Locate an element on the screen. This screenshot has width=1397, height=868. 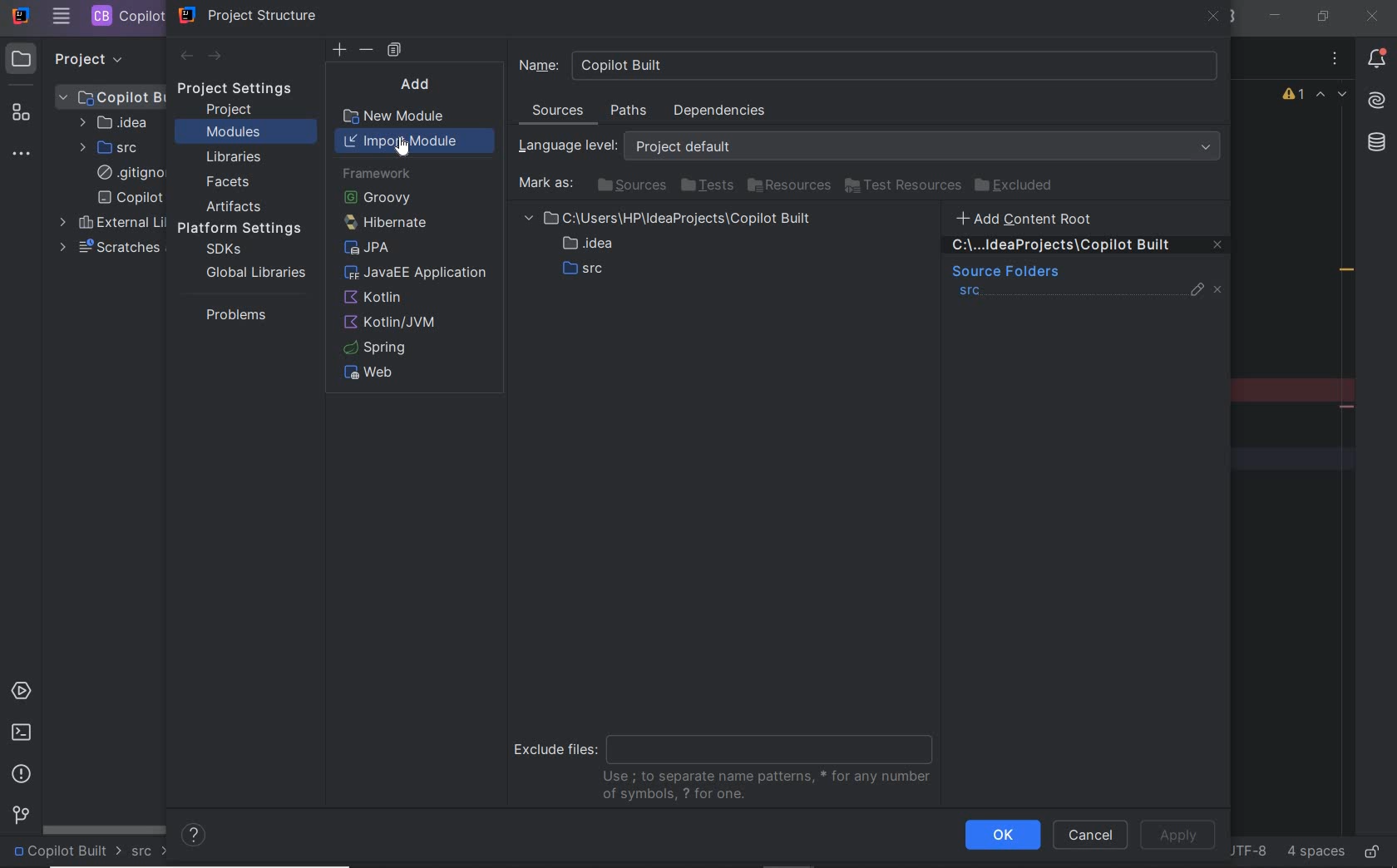
PROJECT FILE ANME is located at coordinates (112, 96).